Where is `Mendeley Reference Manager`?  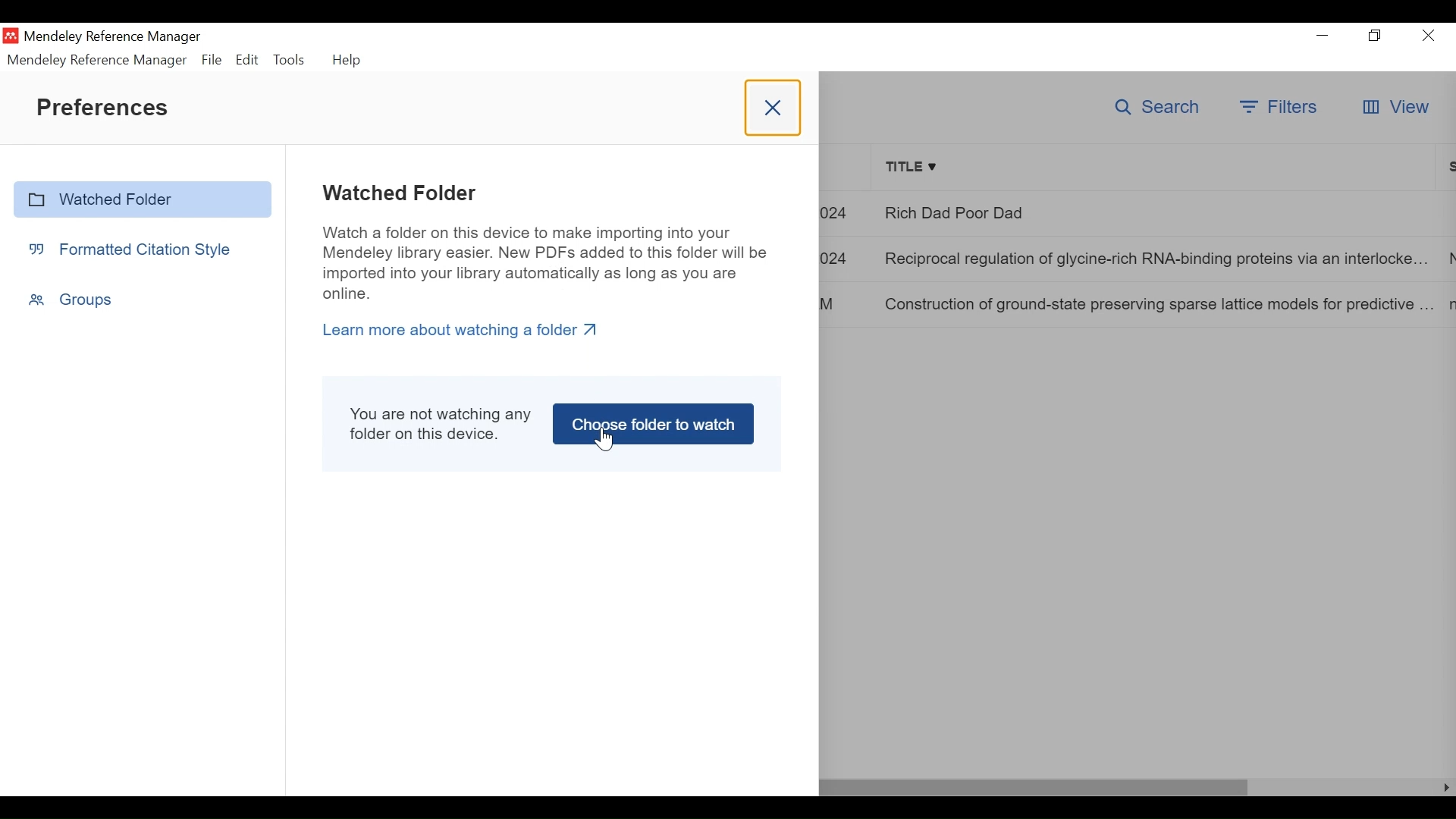 Mendeley Reference Manager is located at coordinates (121, 36).